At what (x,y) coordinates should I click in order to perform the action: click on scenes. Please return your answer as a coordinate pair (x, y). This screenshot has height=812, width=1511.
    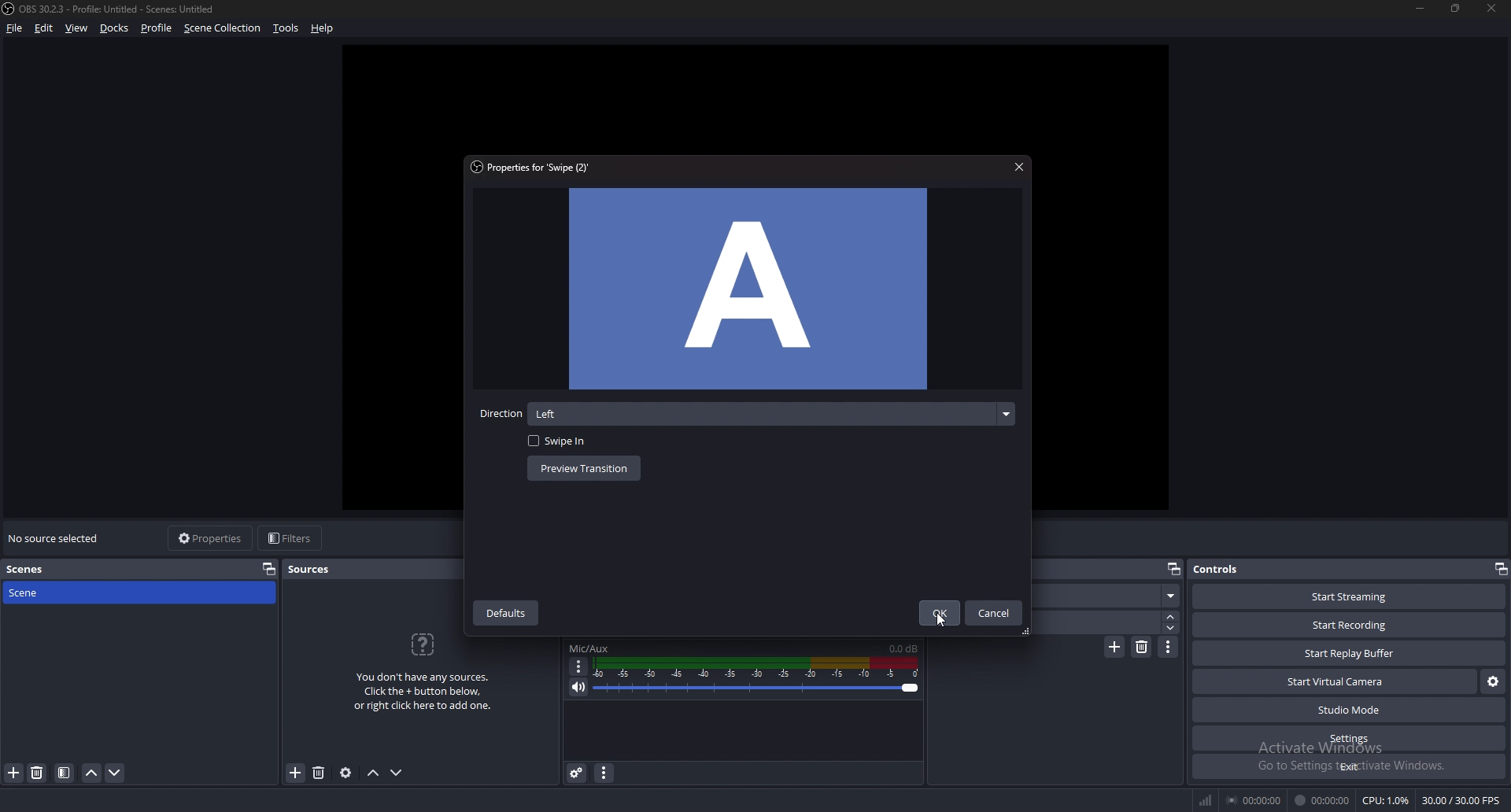
    Looking at the image, I should click on (54, 570).